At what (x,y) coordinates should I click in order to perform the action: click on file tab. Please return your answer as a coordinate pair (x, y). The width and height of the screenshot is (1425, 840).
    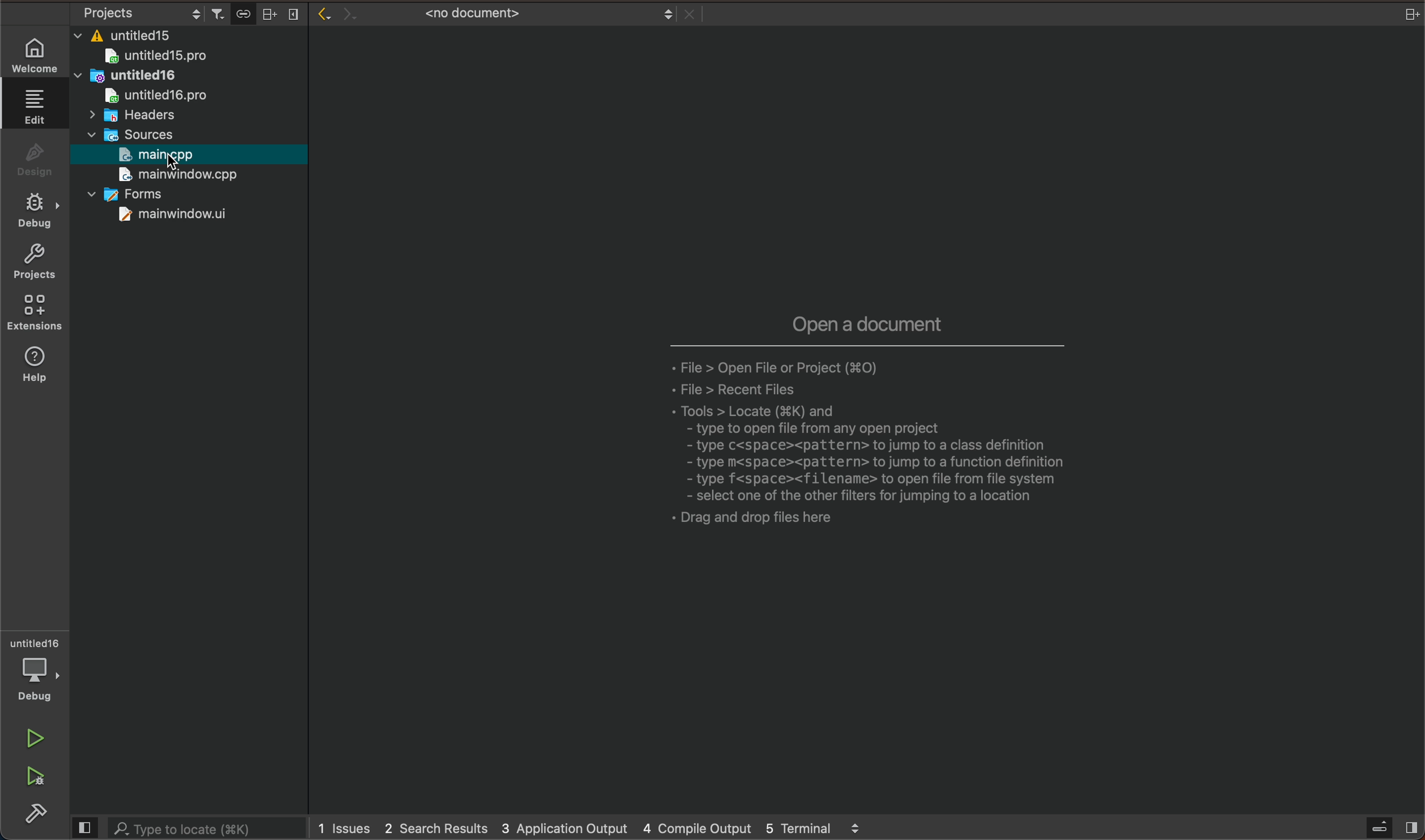
    Looking at the image, I should click on (513, 14).